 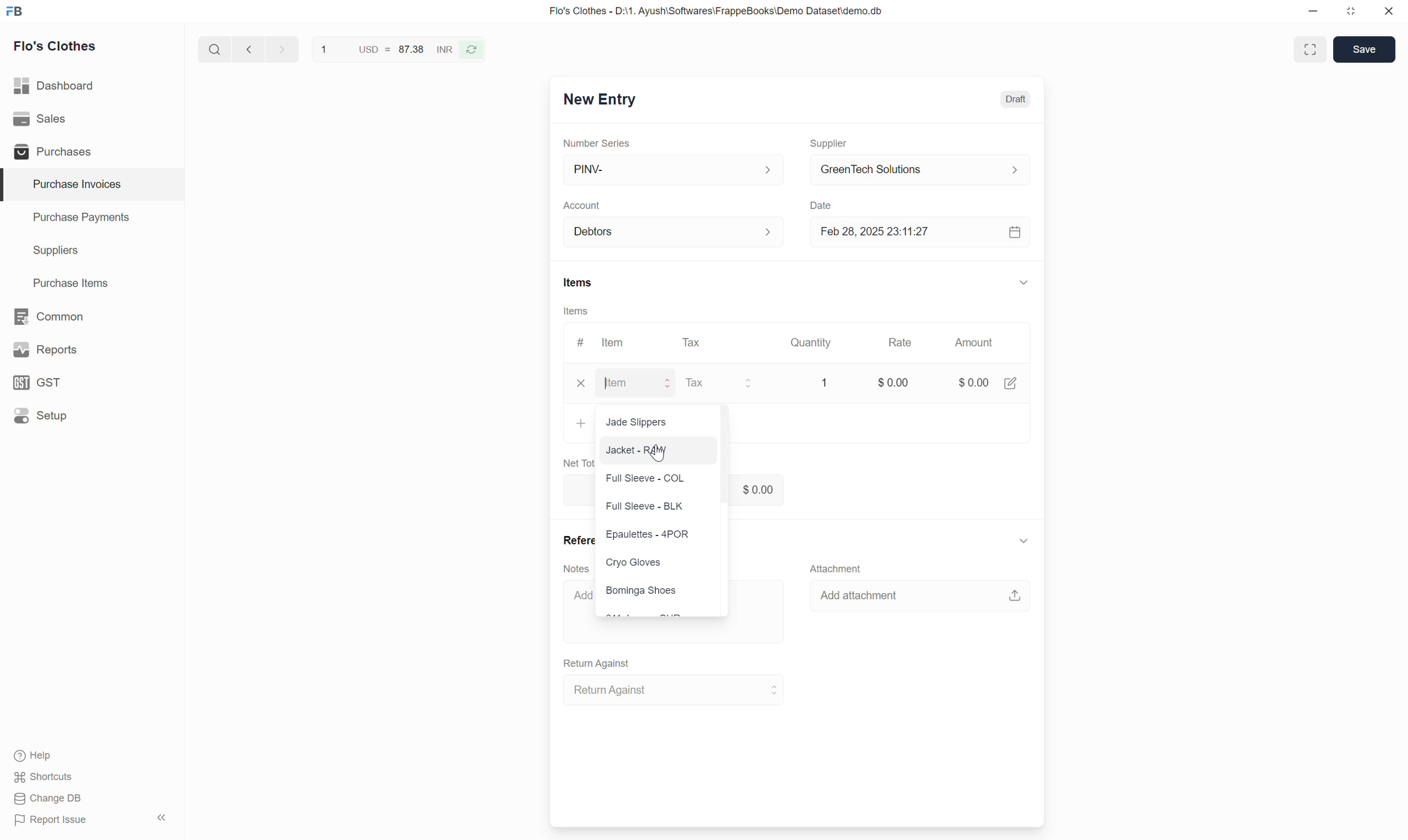 I want to click on Amount, so click(x=975, y=343).